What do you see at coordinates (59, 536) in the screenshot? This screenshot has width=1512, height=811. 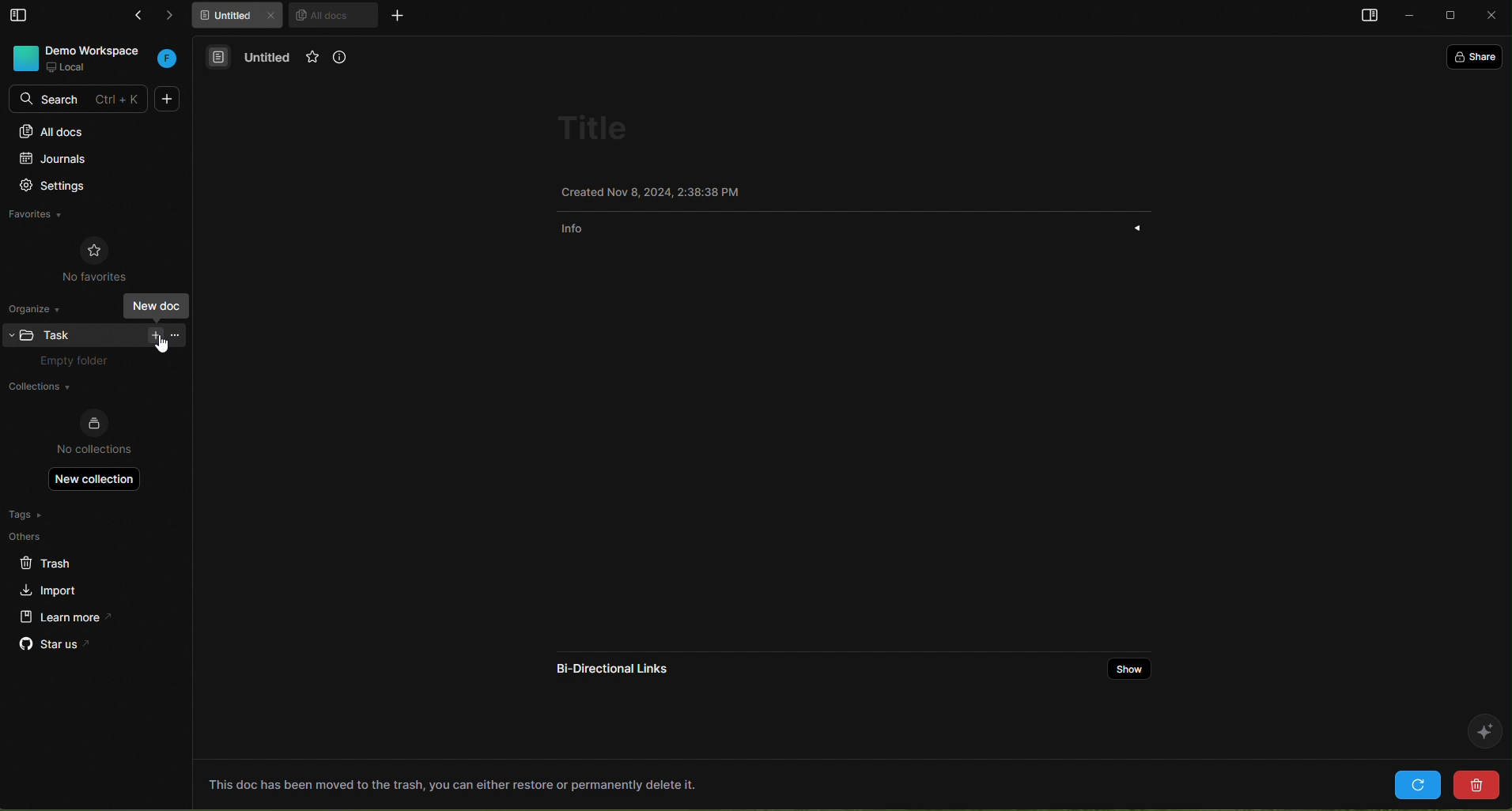 I see `others` at bounding box center [59, 536].